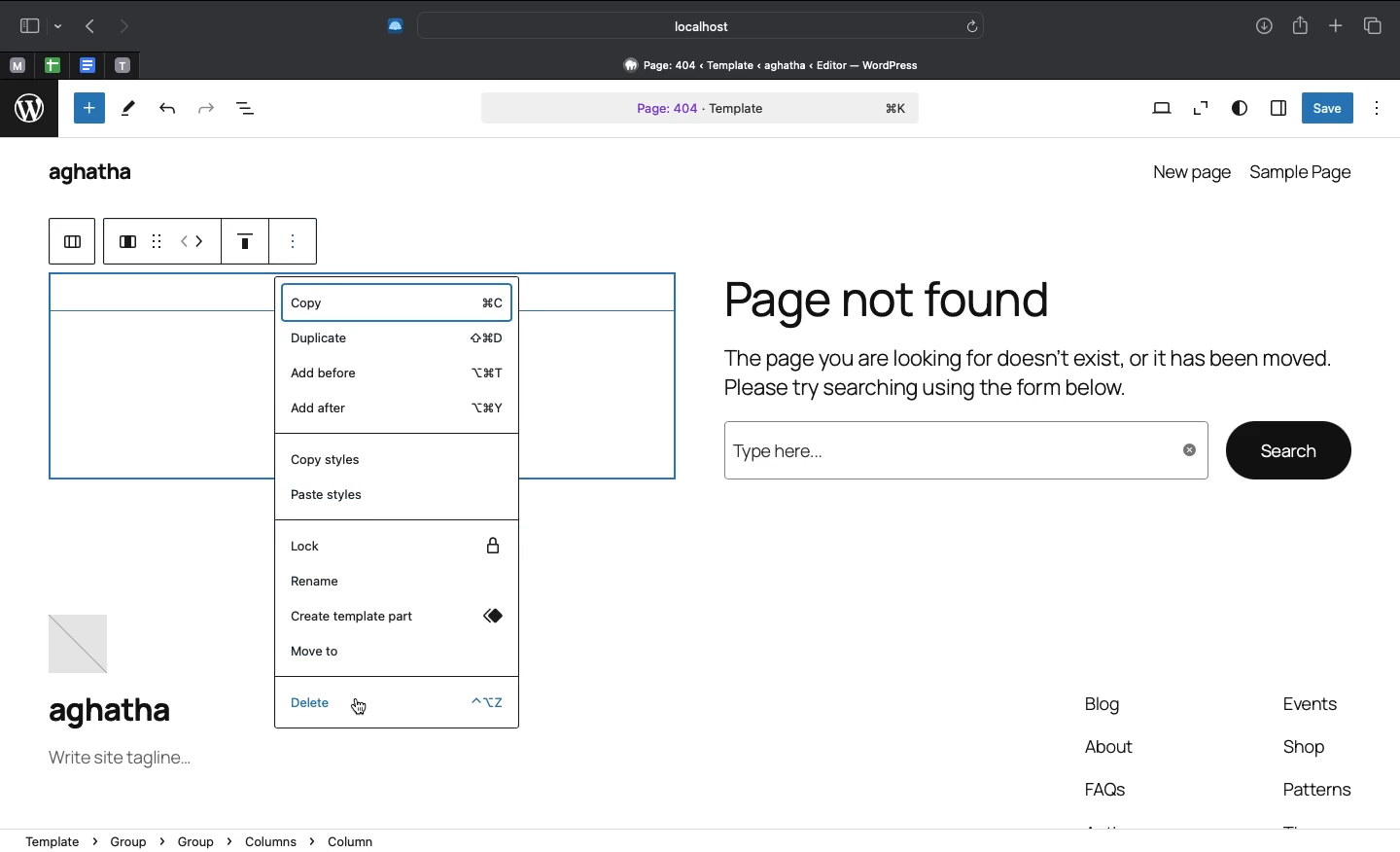  What do you see at coordinates (90, 25) in the screenshot?
I see `Undo` at bounding box center [90, 25].